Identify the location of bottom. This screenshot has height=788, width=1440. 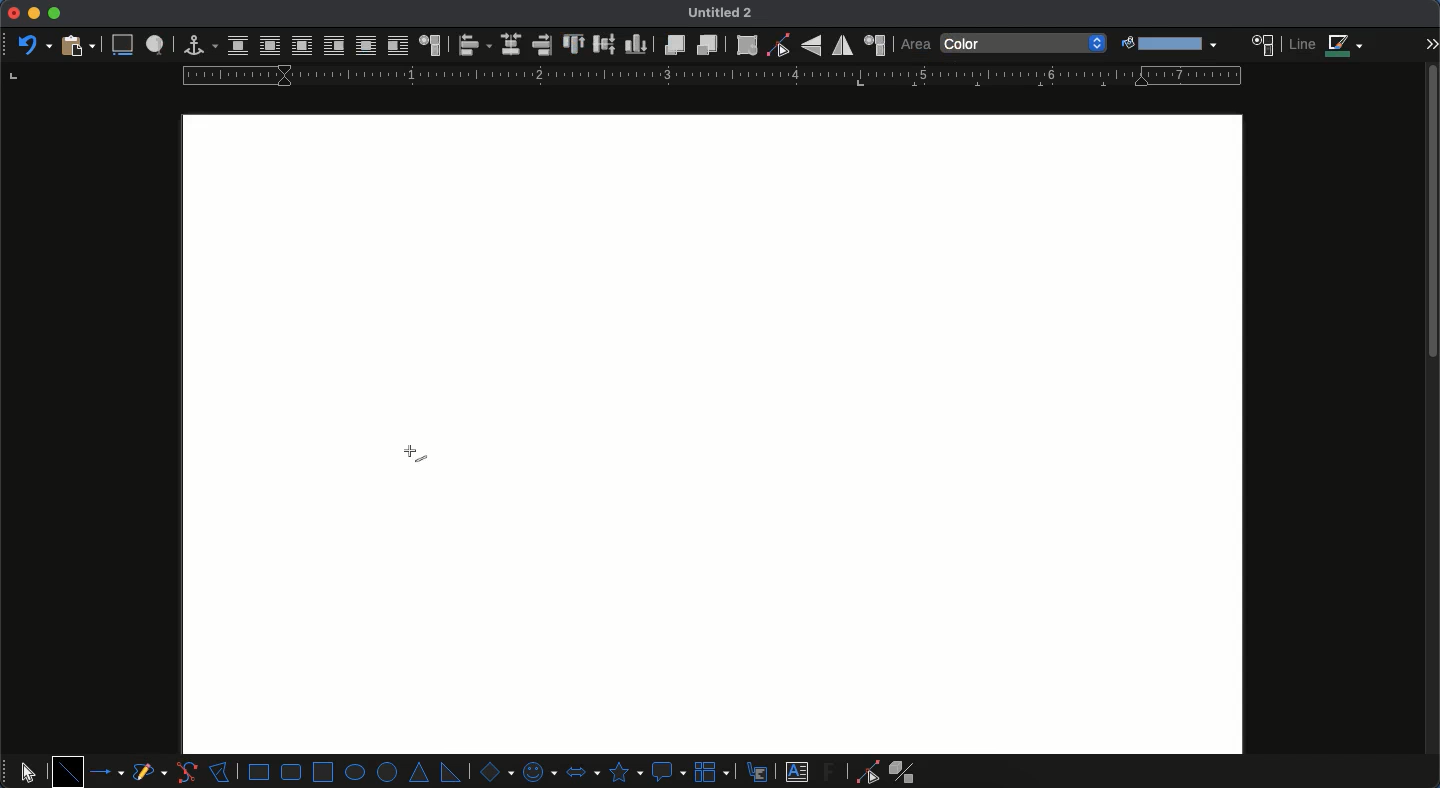
(637, 44).